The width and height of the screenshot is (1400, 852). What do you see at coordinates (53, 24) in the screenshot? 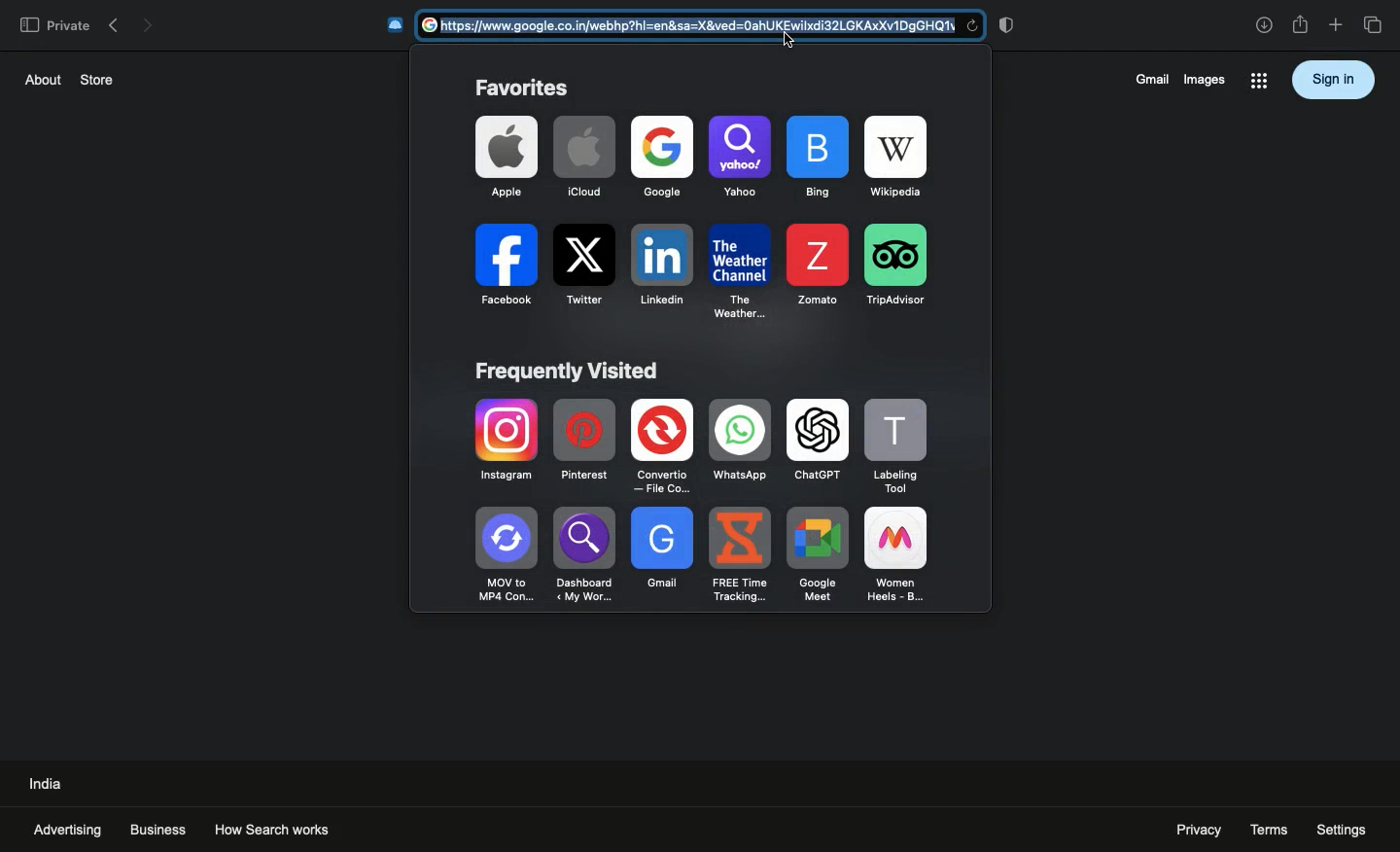
I see `private` at bounding box center [53, 24].